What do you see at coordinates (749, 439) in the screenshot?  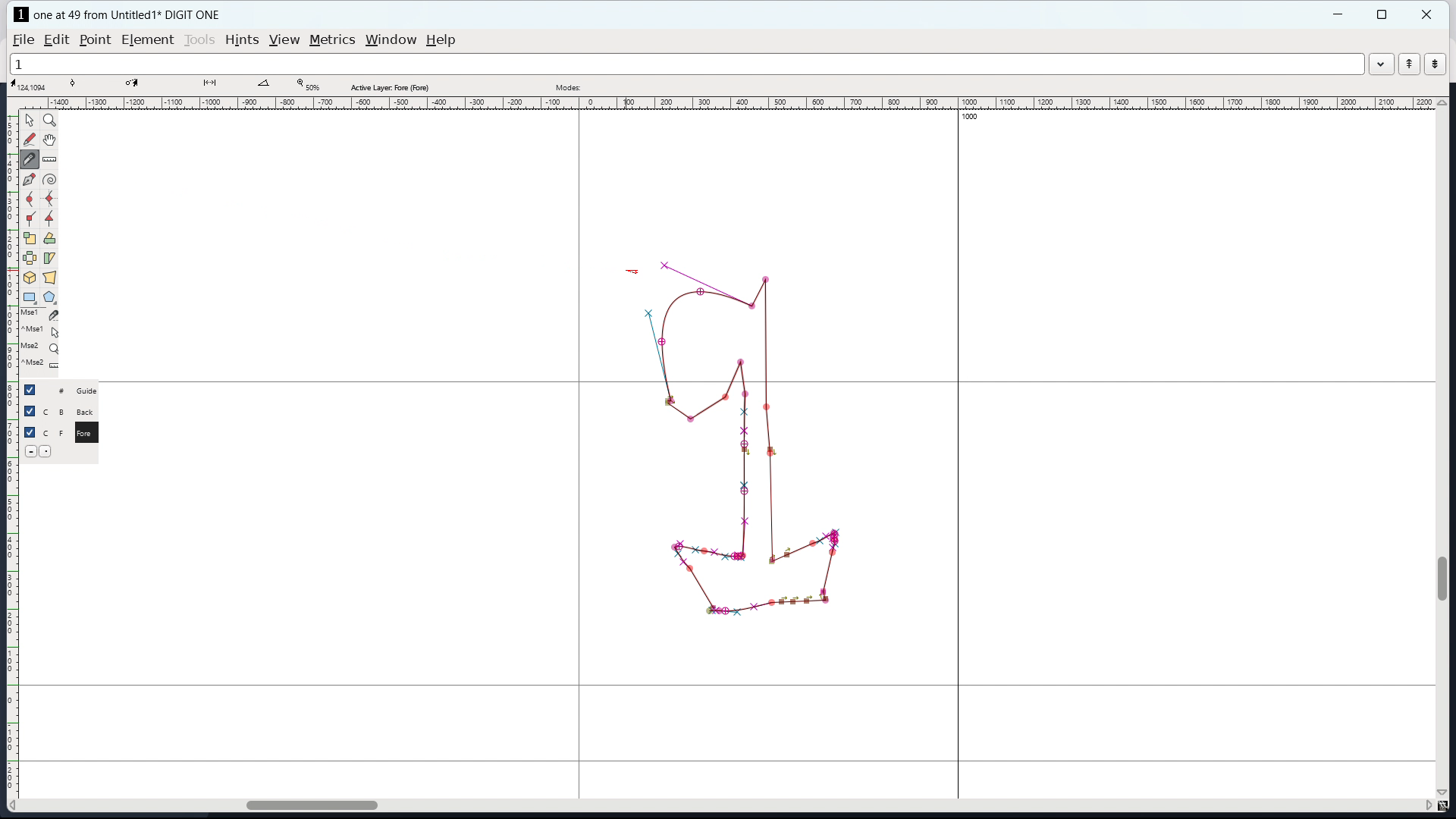 I see `glyph` at bounding box center [749, 439].